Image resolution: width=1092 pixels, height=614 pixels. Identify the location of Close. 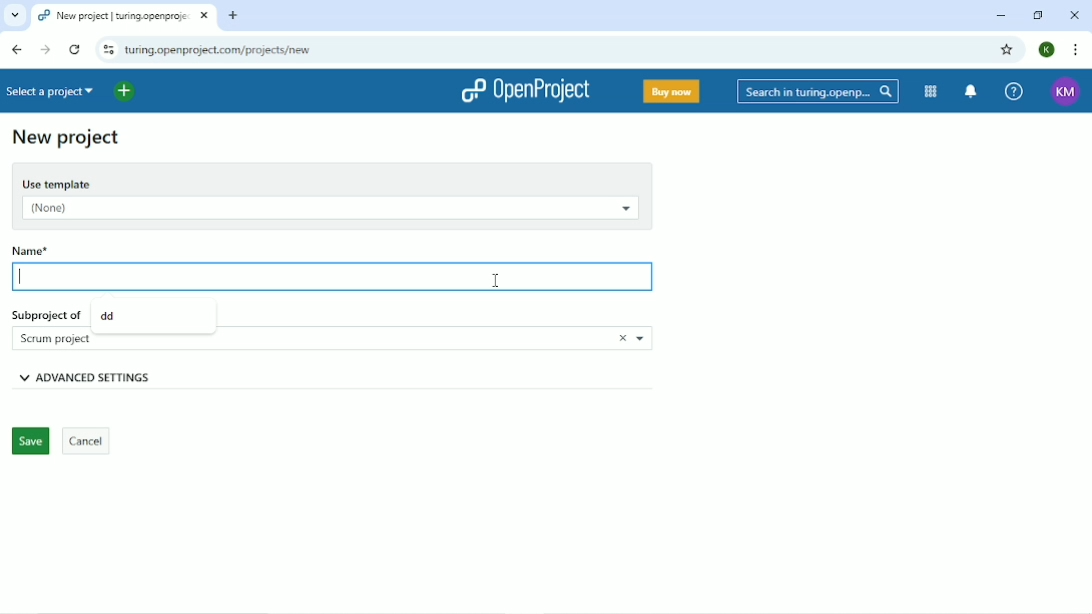
(616, 338).